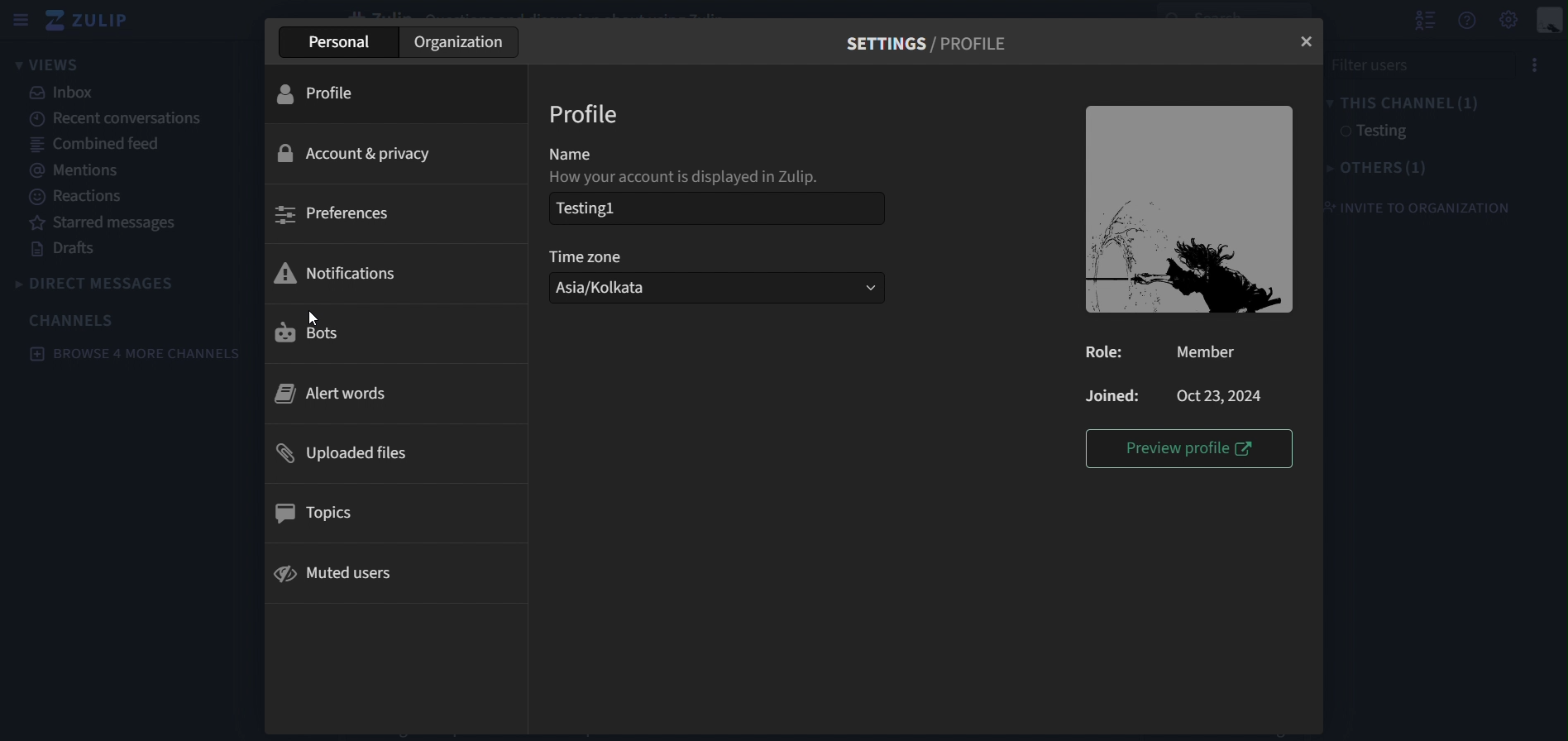 The width and height of the screenshot is (1568, 741). I want to click on name, so click(581, 151).